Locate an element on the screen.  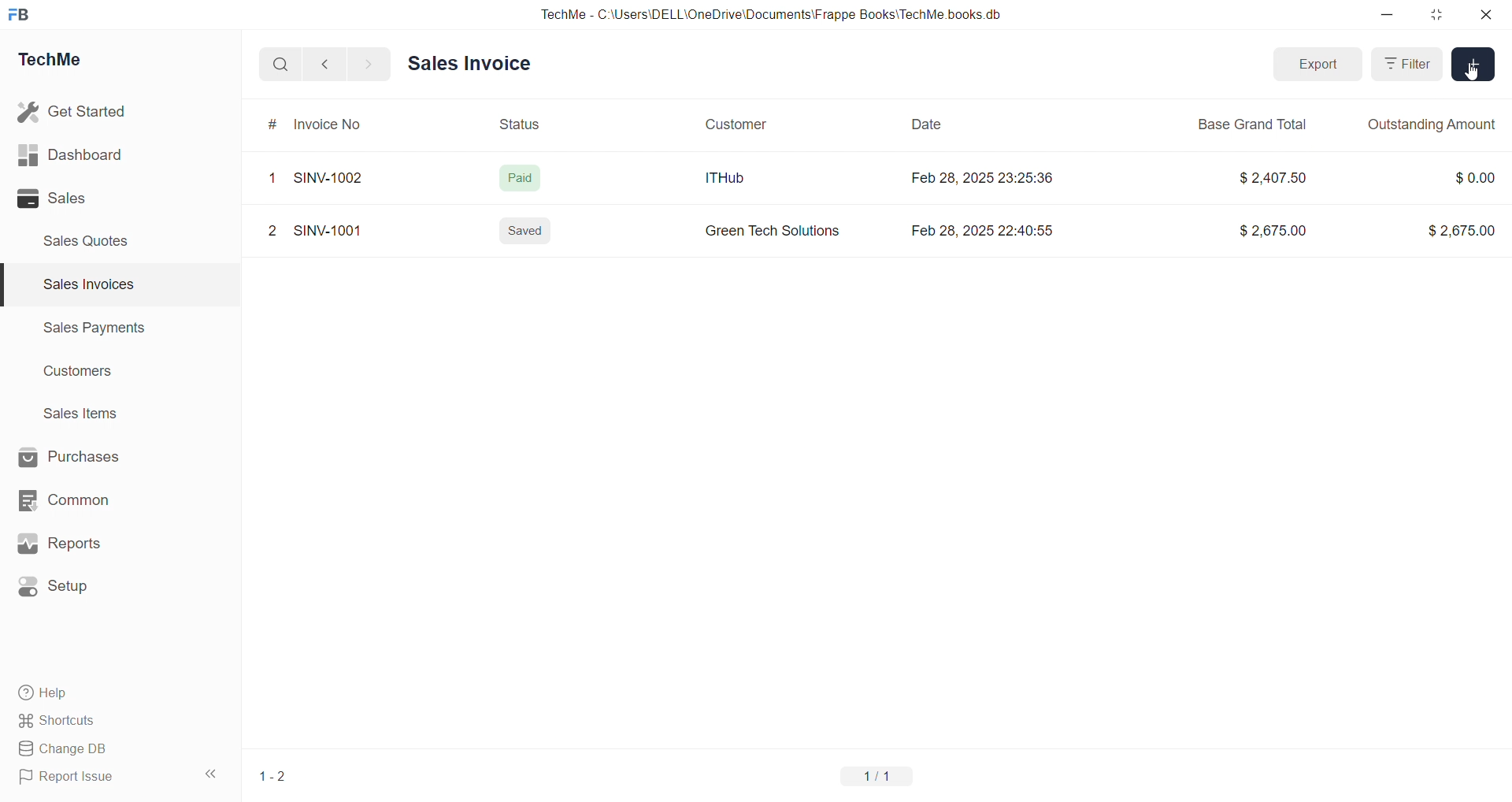
B& Change DB is located at coordinates (69, 750).